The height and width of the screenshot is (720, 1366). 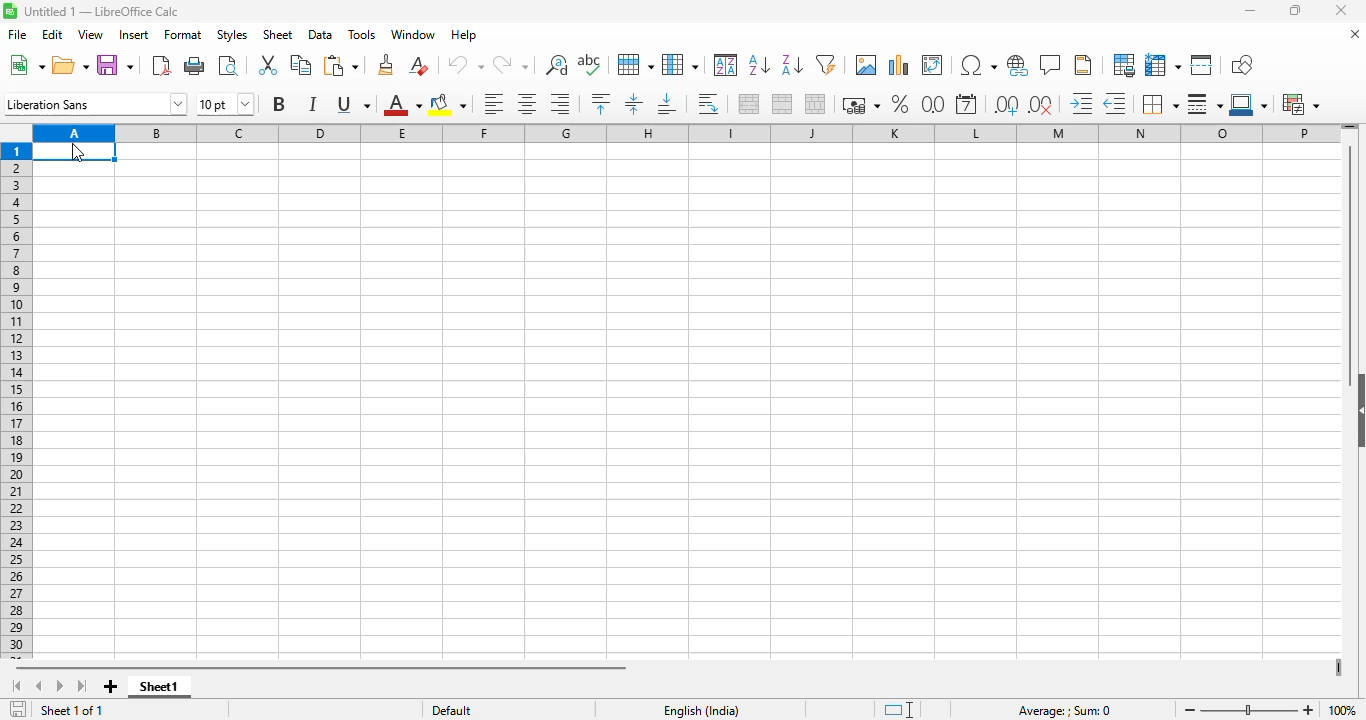 I want to click on close document, so click(x=1355, y=34).